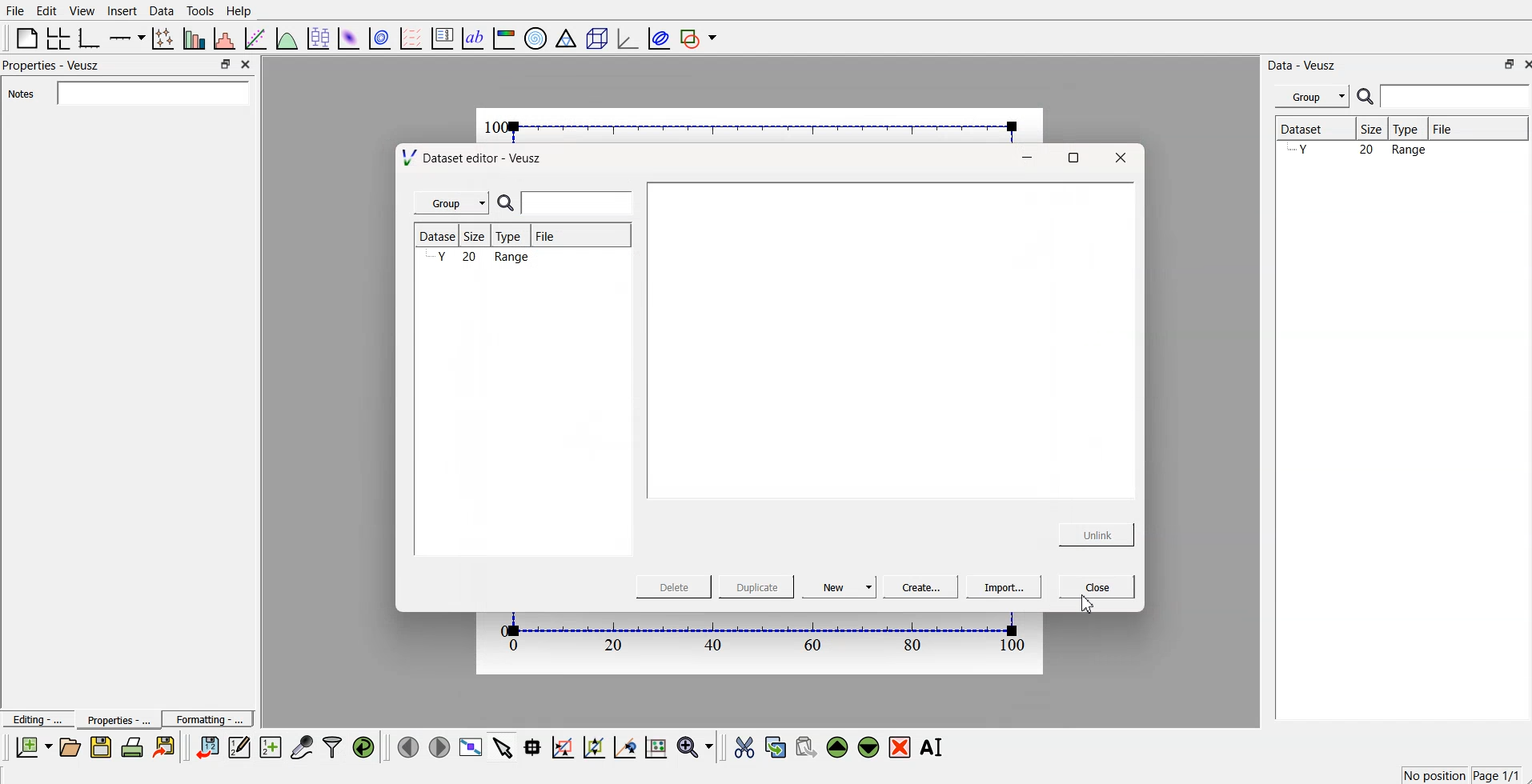 This screenshot has width=1532, height=784. I want to click on New, so click(844, 587).